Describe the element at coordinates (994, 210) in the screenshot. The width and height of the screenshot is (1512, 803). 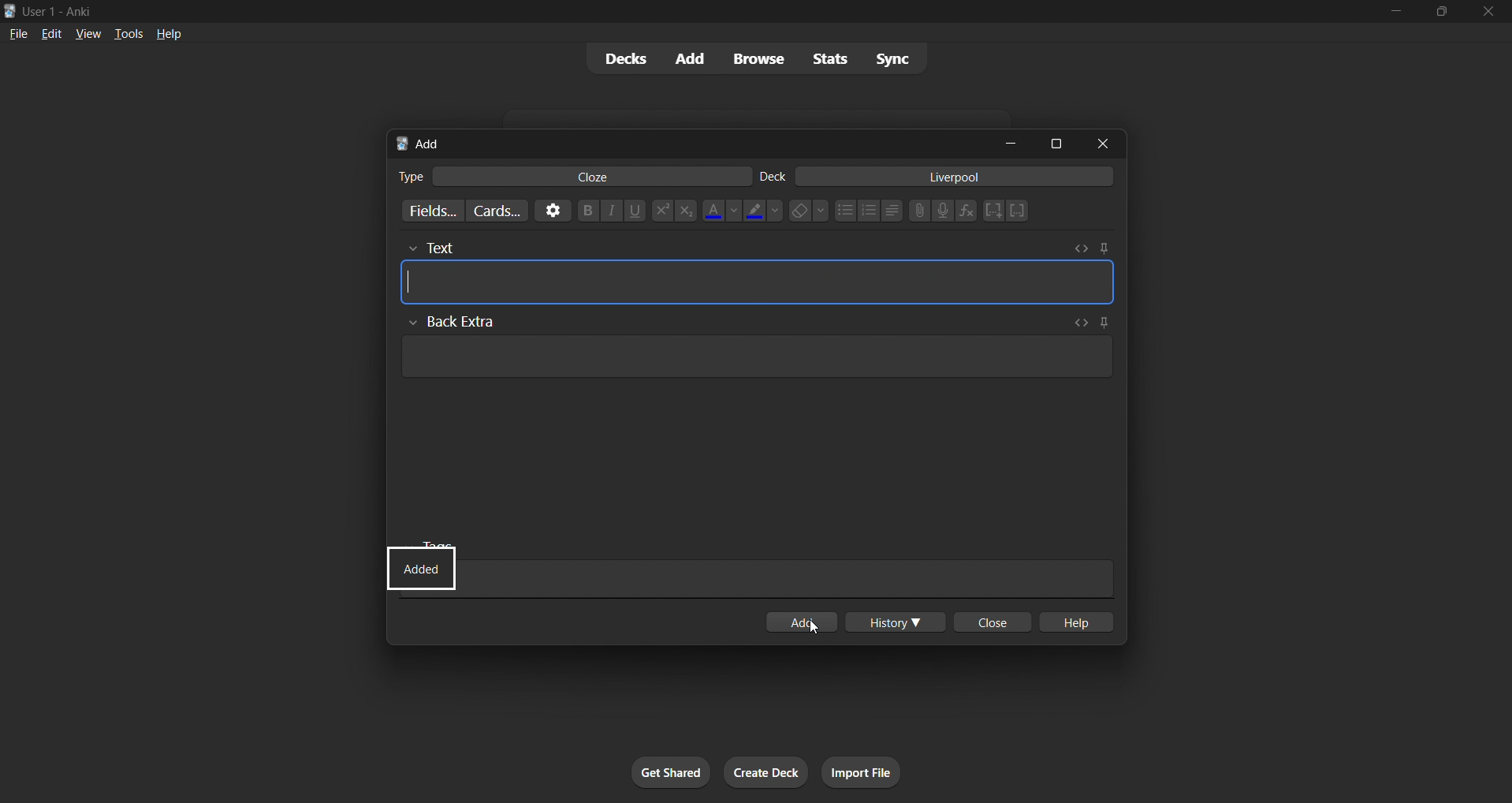
I see `cloze deletion` at that location.